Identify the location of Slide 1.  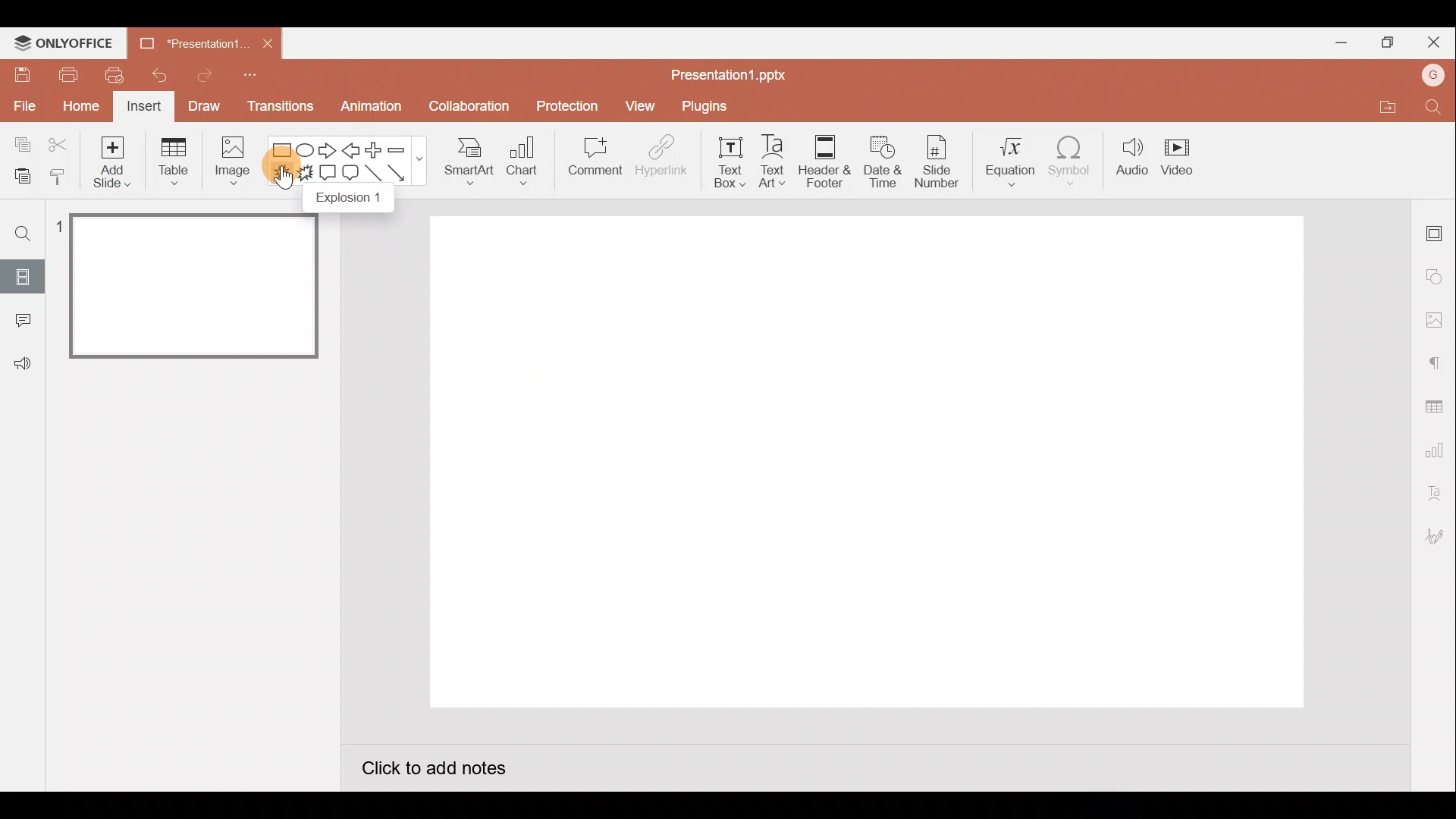
(184, 287).